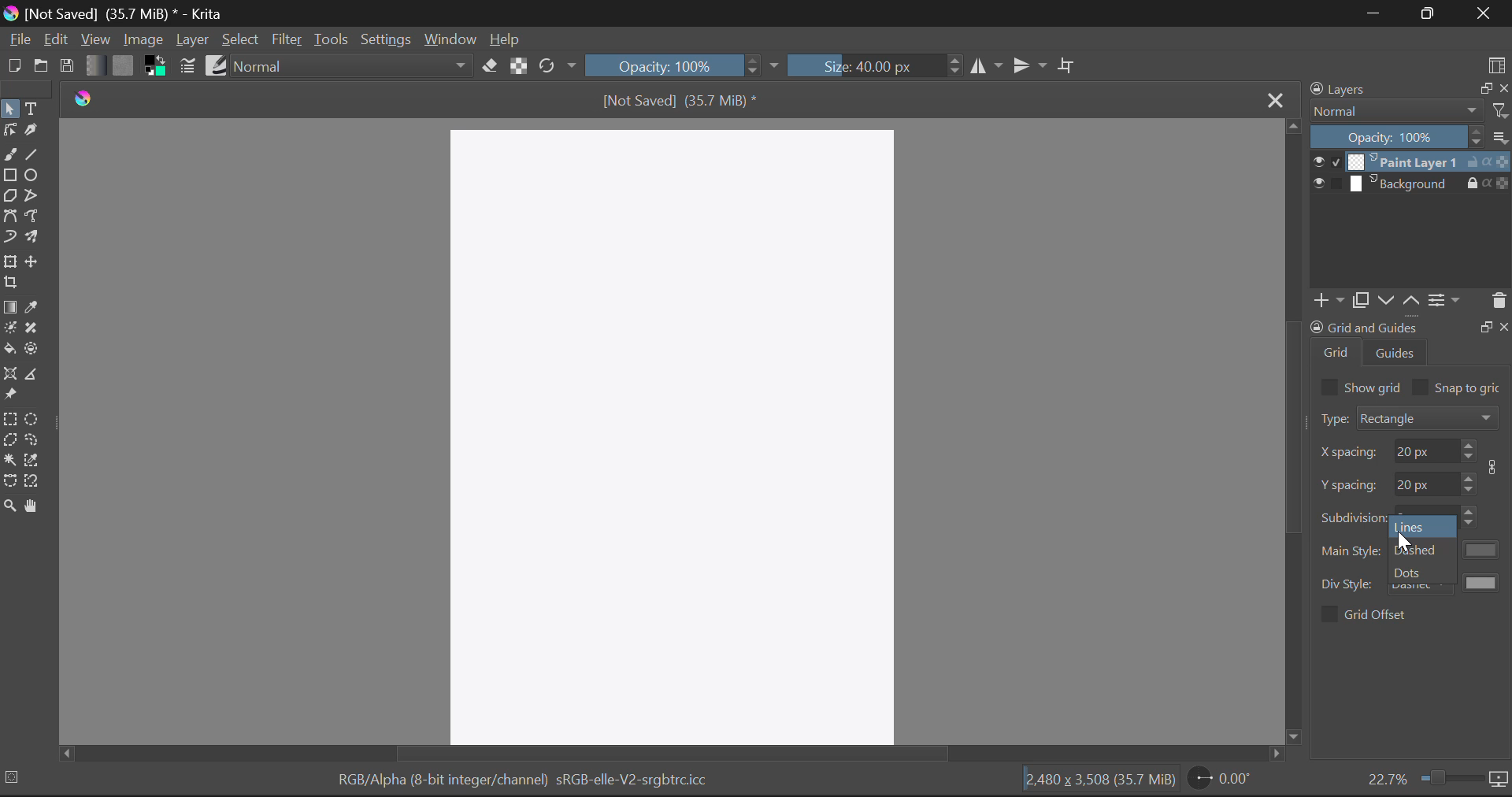 The height and width of the screenshot is (797, 1512). What do you see at coordinates (1498, 301) in the screenshot?
I see `delete` at bounding box center [1498, 301].